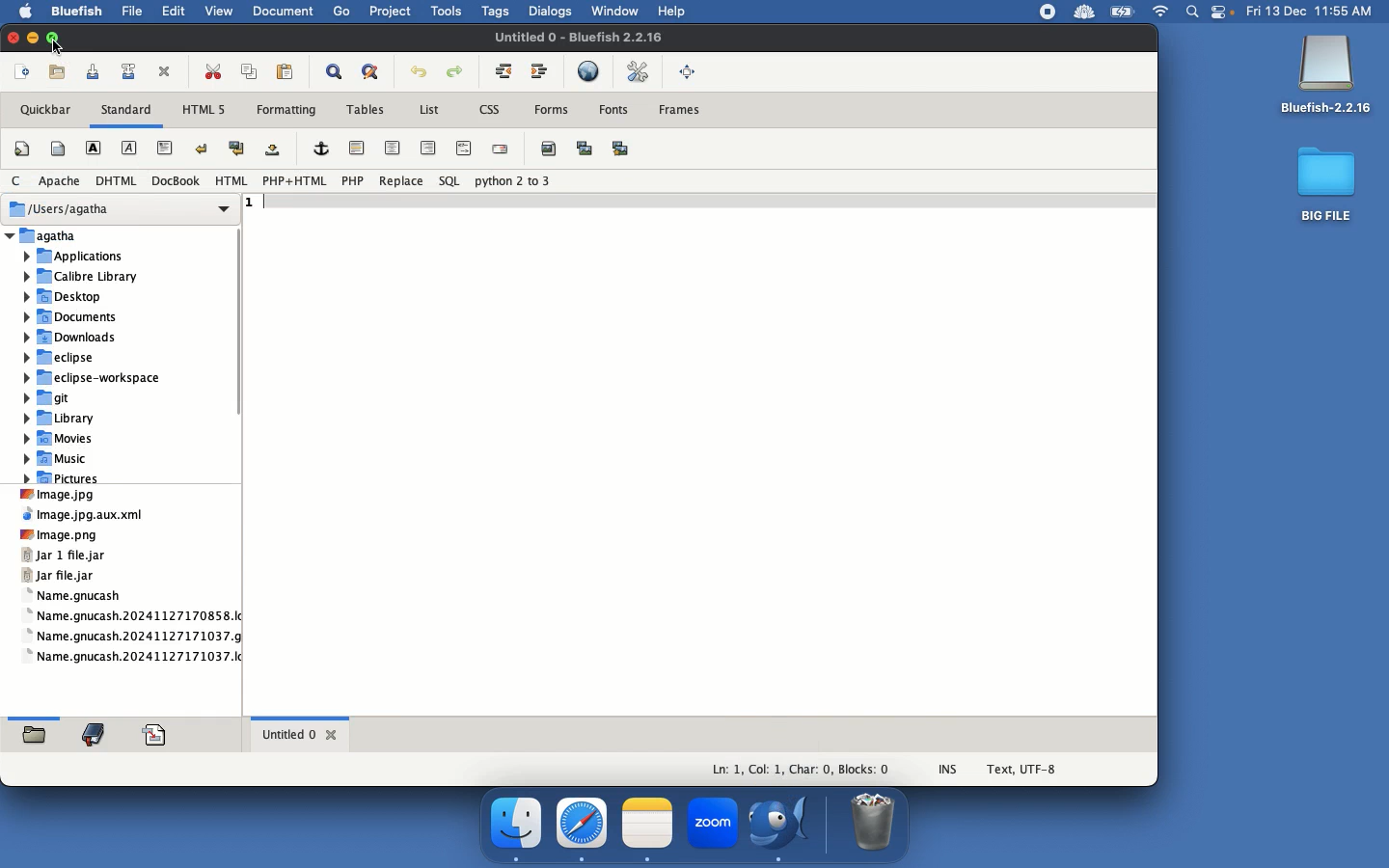 The width and height of the screenshot is (1389, 868). What do you see at coordinates (874, 823) in the screenshot?
I see `Trash` at bounding box center [874, 823].